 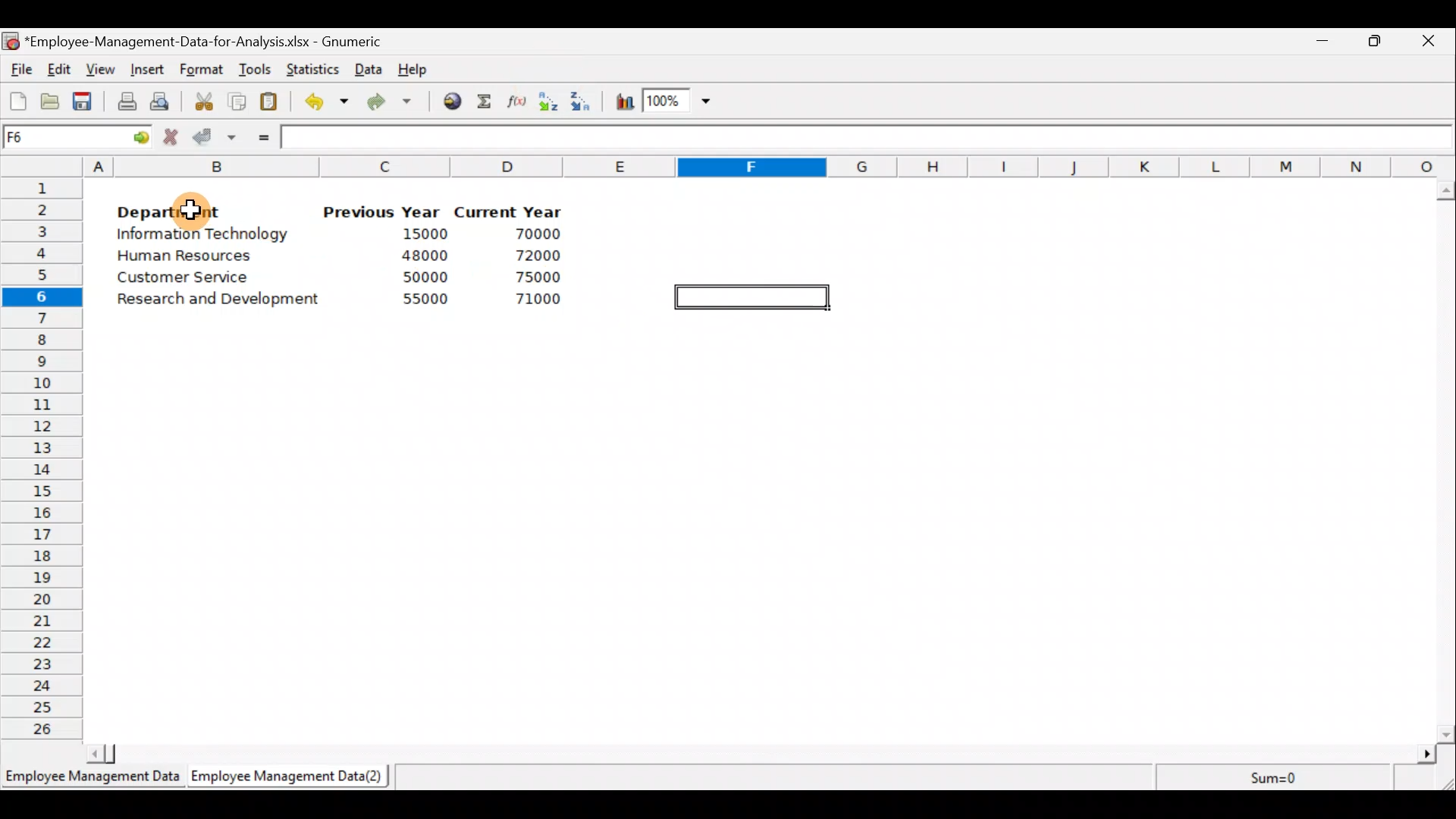 What do you see at coordinates (422, 68) in the screenshot?
I see `Help` at bounding box center [422, 68].